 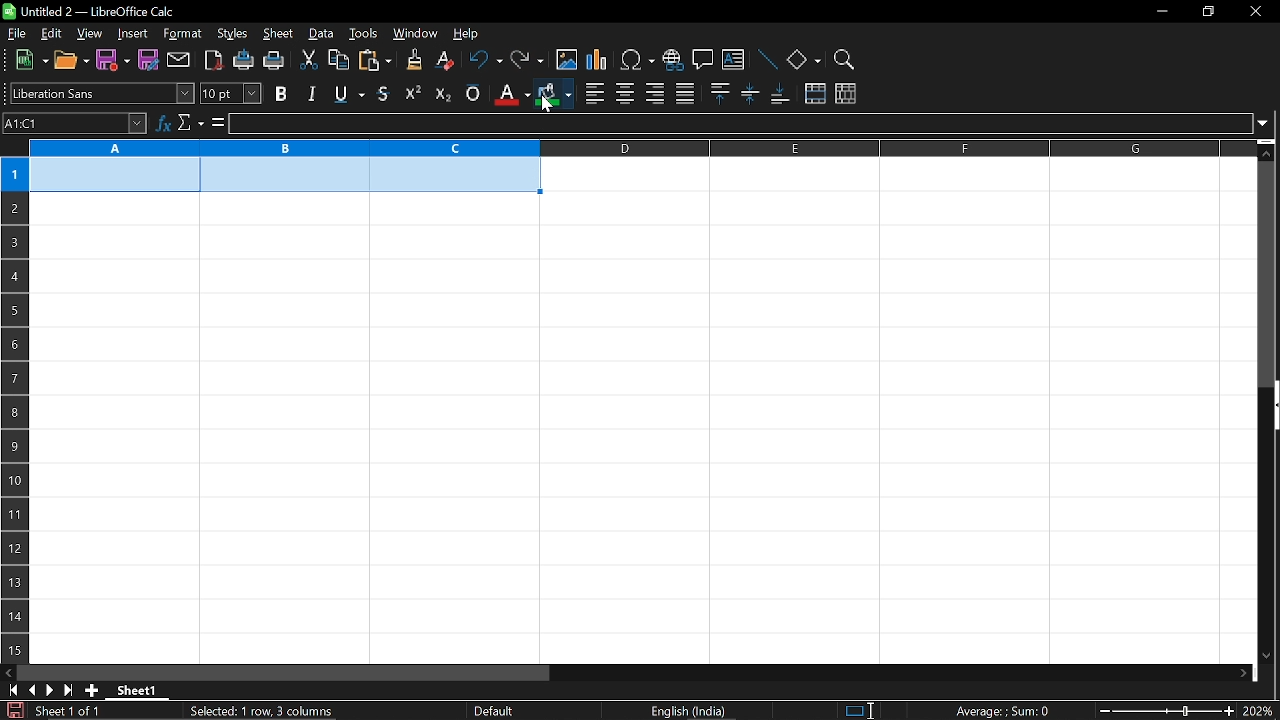 I want to click on Untitled 2 - LibreOffice Calc, so click(x=90, y=11).